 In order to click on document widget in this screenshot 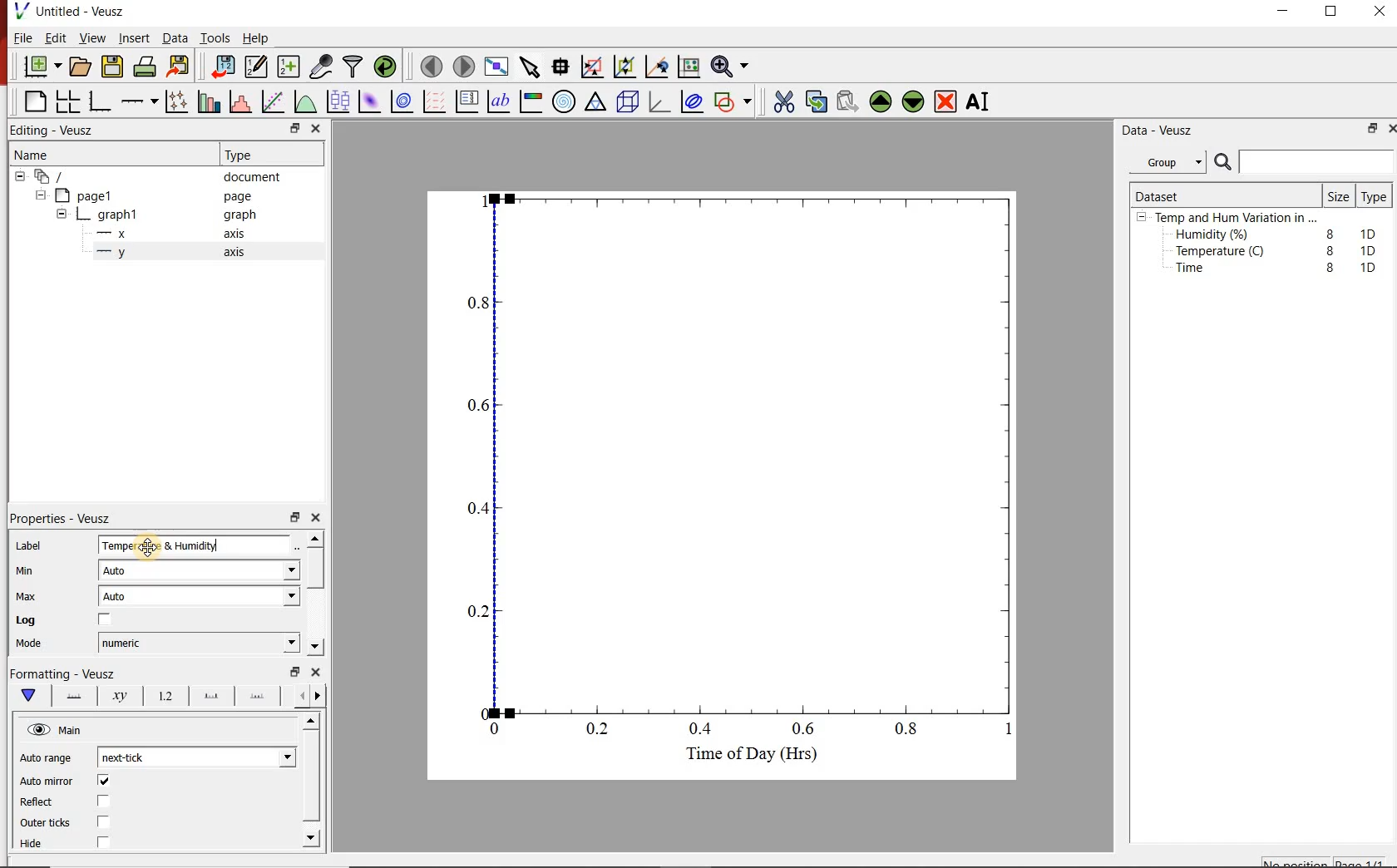, I will do `click(59, 177)`.